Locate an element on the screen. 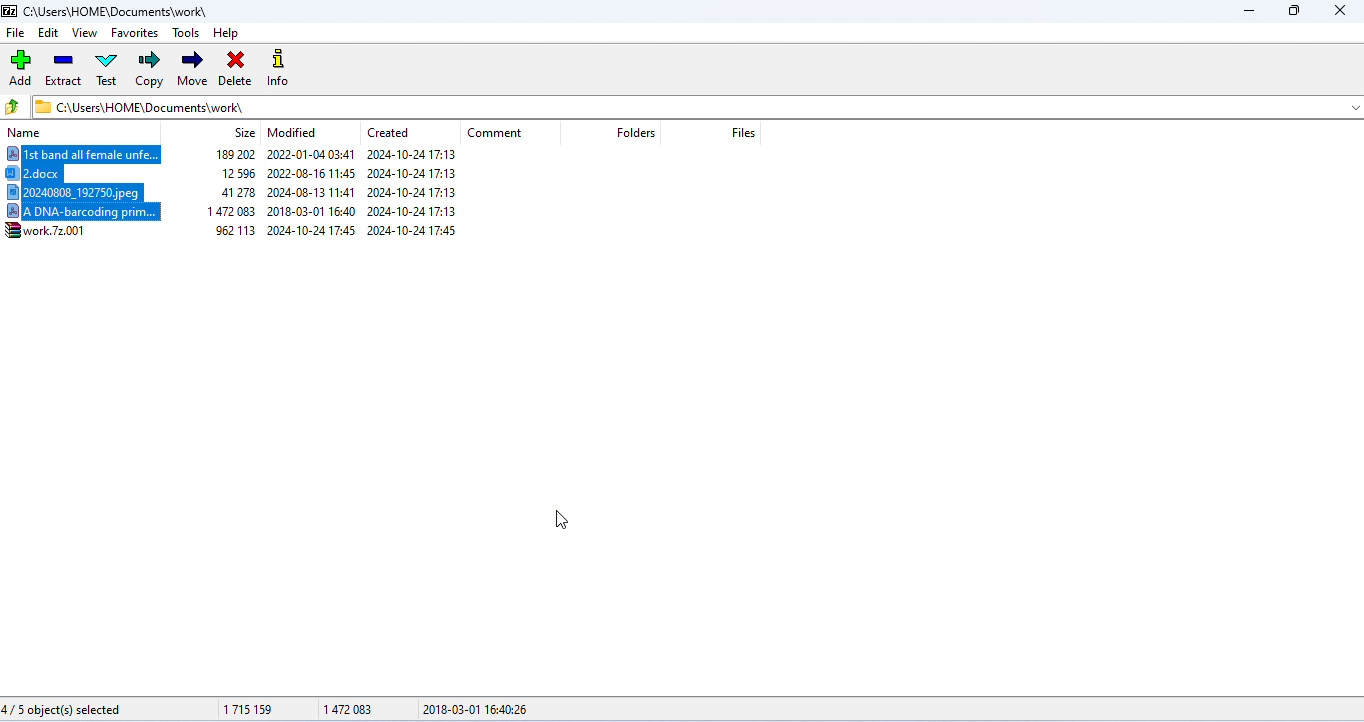 This screenshot has width=1364, height=722. 147083 is located at coordinates (346, 706).